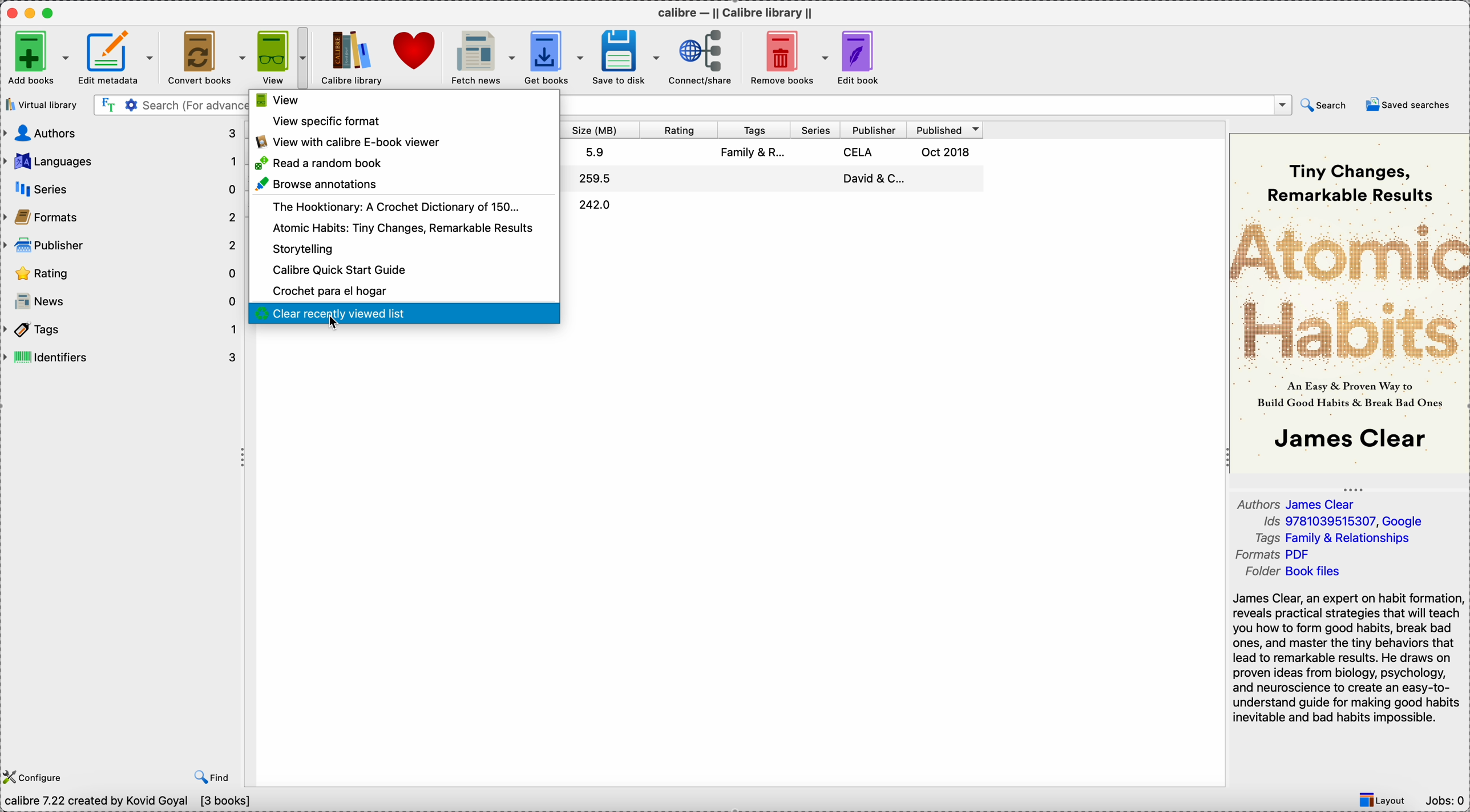  What do you see at coordinates (402, 229) in the screenshot?
I see `Atomic Habits: Tiny Charges, Remarkable Results` at bounding box center [402, 229].